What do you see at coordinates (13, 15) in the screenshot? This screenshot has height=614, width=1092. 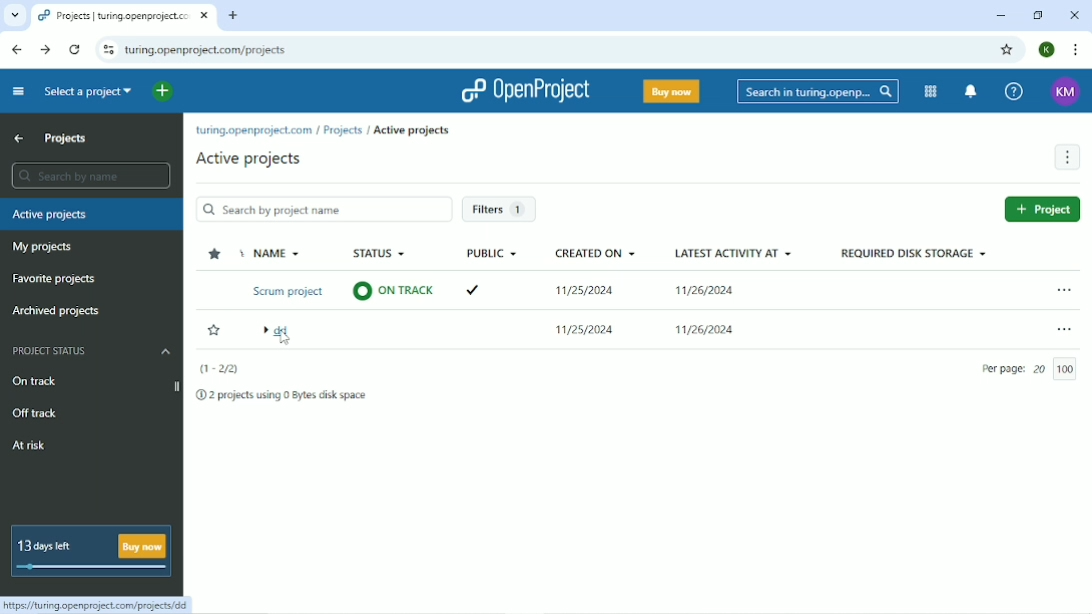 I see `Search tabs` at bounding box center [13, 15].